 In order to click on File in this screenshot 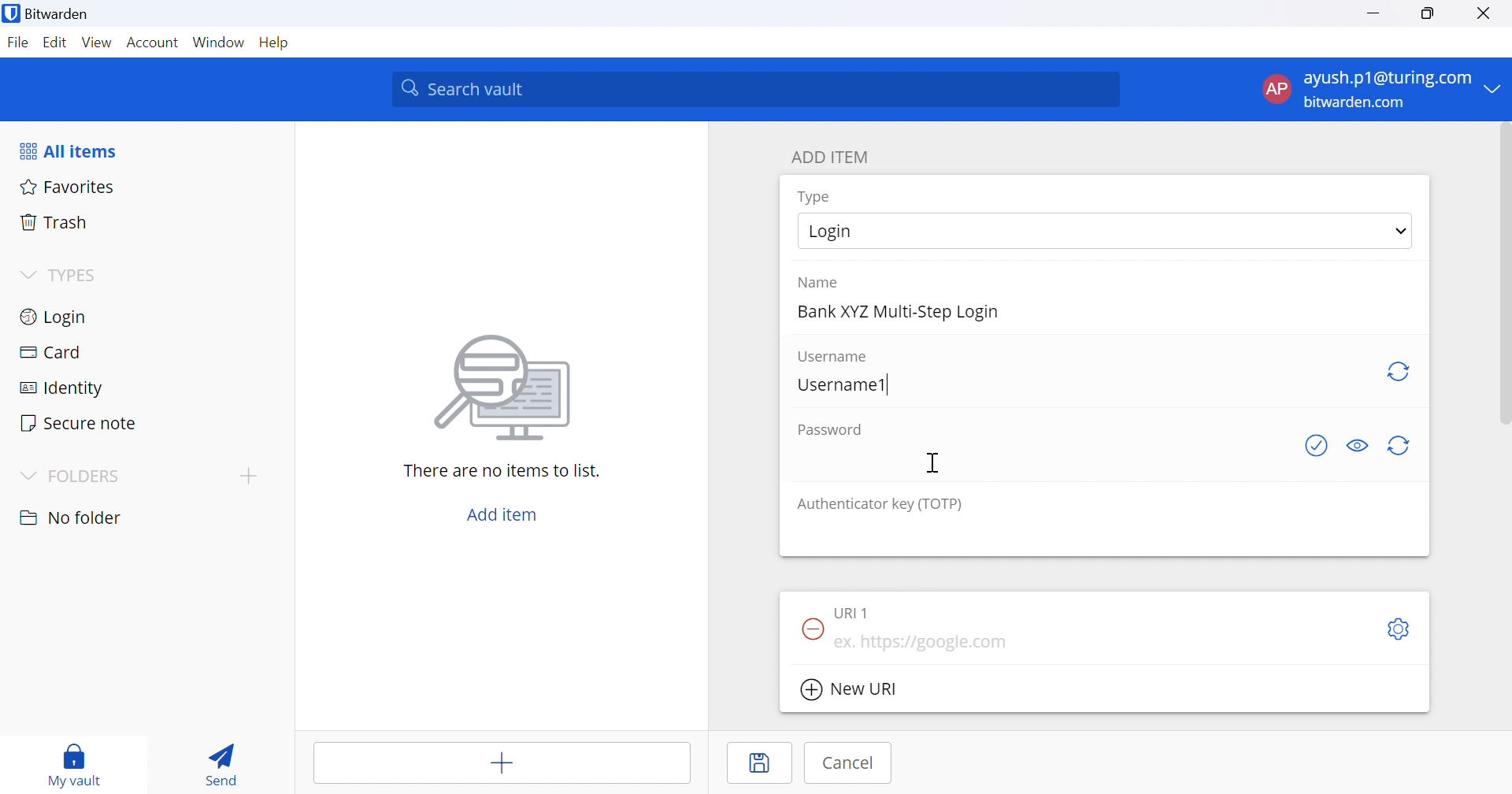, I will do `click(17, 43)`.